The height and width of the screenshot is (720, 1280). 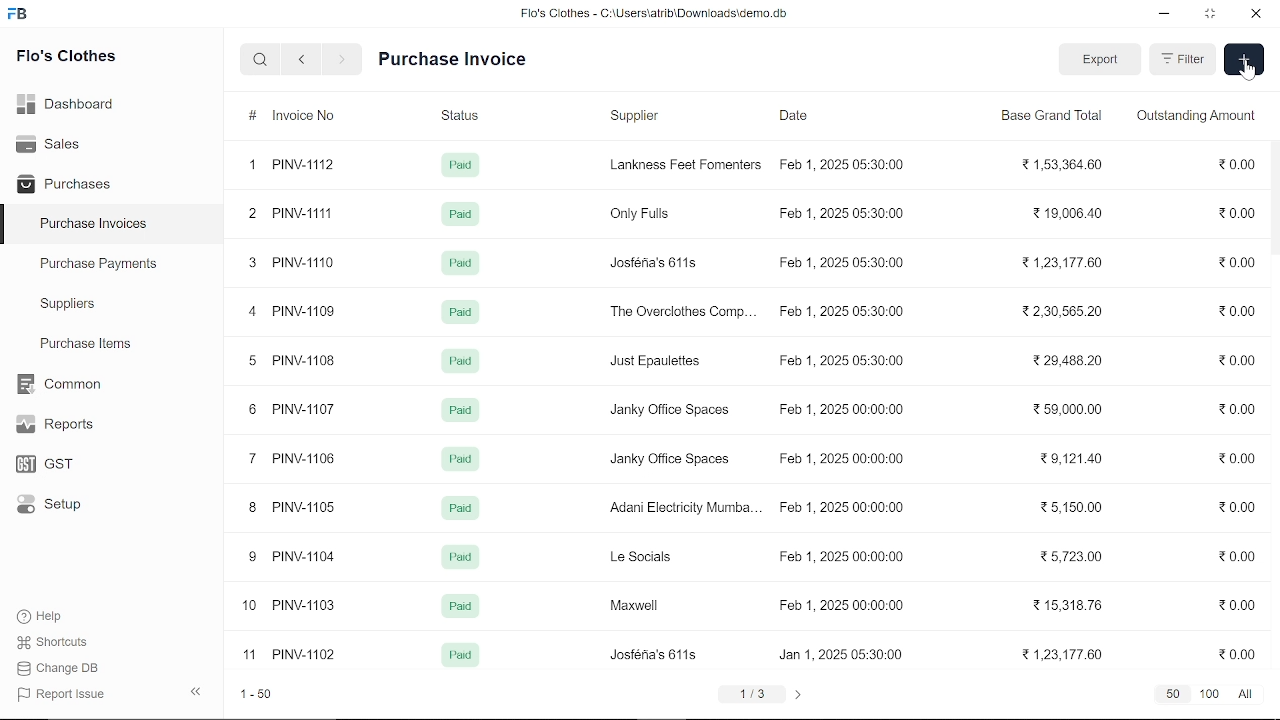 I want to click on Suppliers, so click(x=68, y=304).